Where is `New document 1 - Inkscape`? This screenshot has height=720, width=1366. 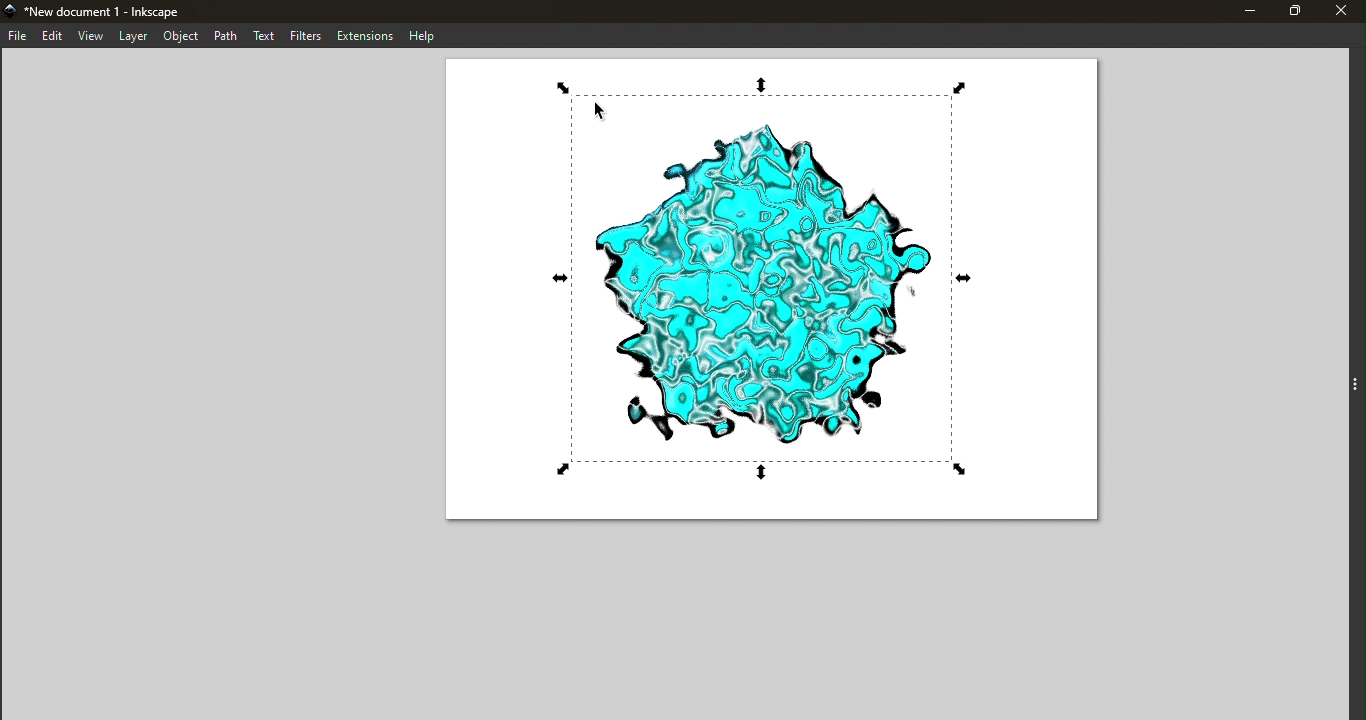
New document 1 - Inkscape is located at coordinates (116, 10).